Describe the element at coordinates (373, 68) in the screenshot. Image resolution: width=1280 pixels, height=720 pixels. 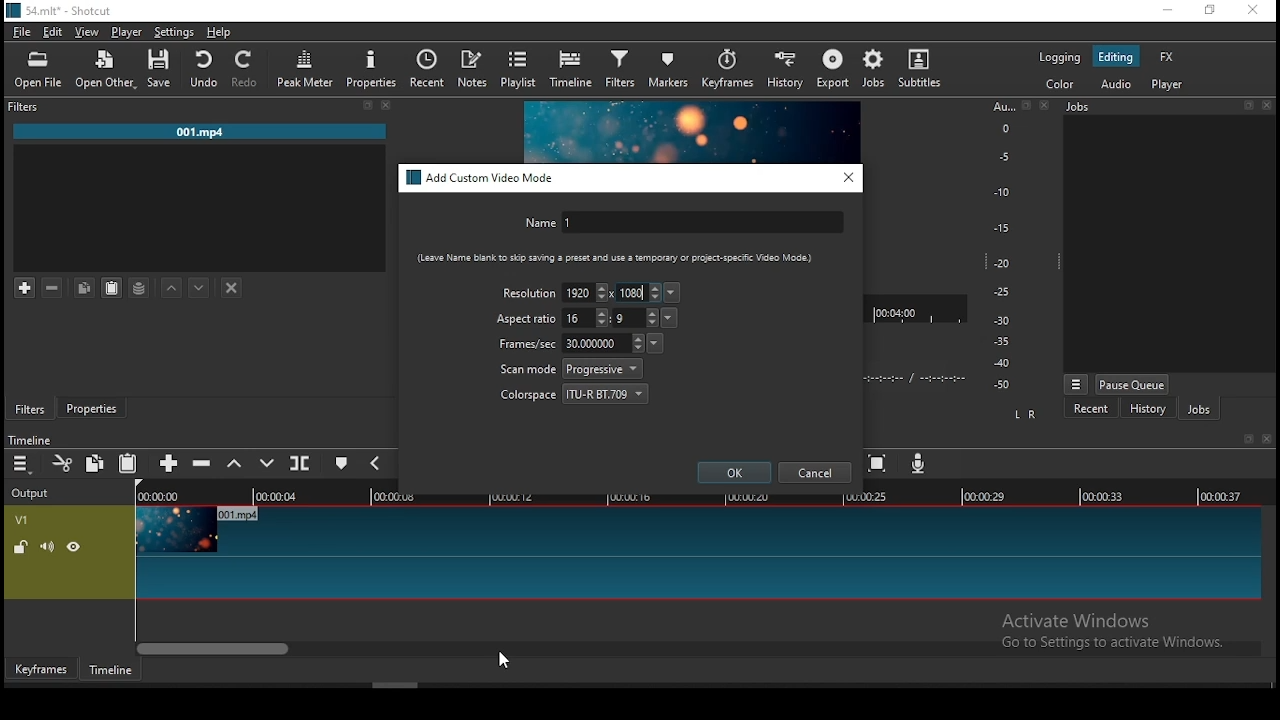
I see `properties` at that location.